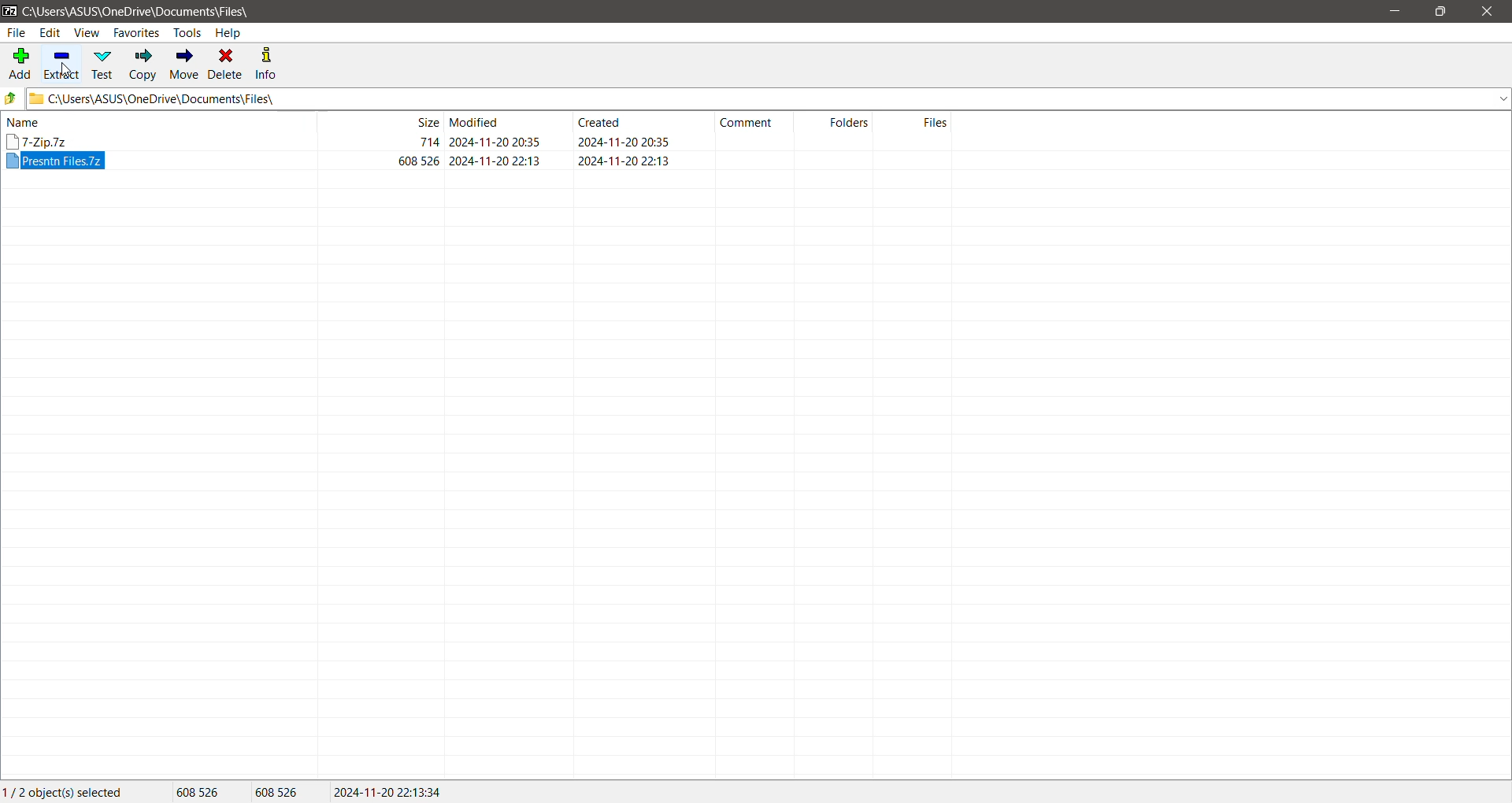 This screenshot has height=803, width=1512. Describe the element at coordinates (137, 32) in the screenshot. I see `Favorites` at that location.